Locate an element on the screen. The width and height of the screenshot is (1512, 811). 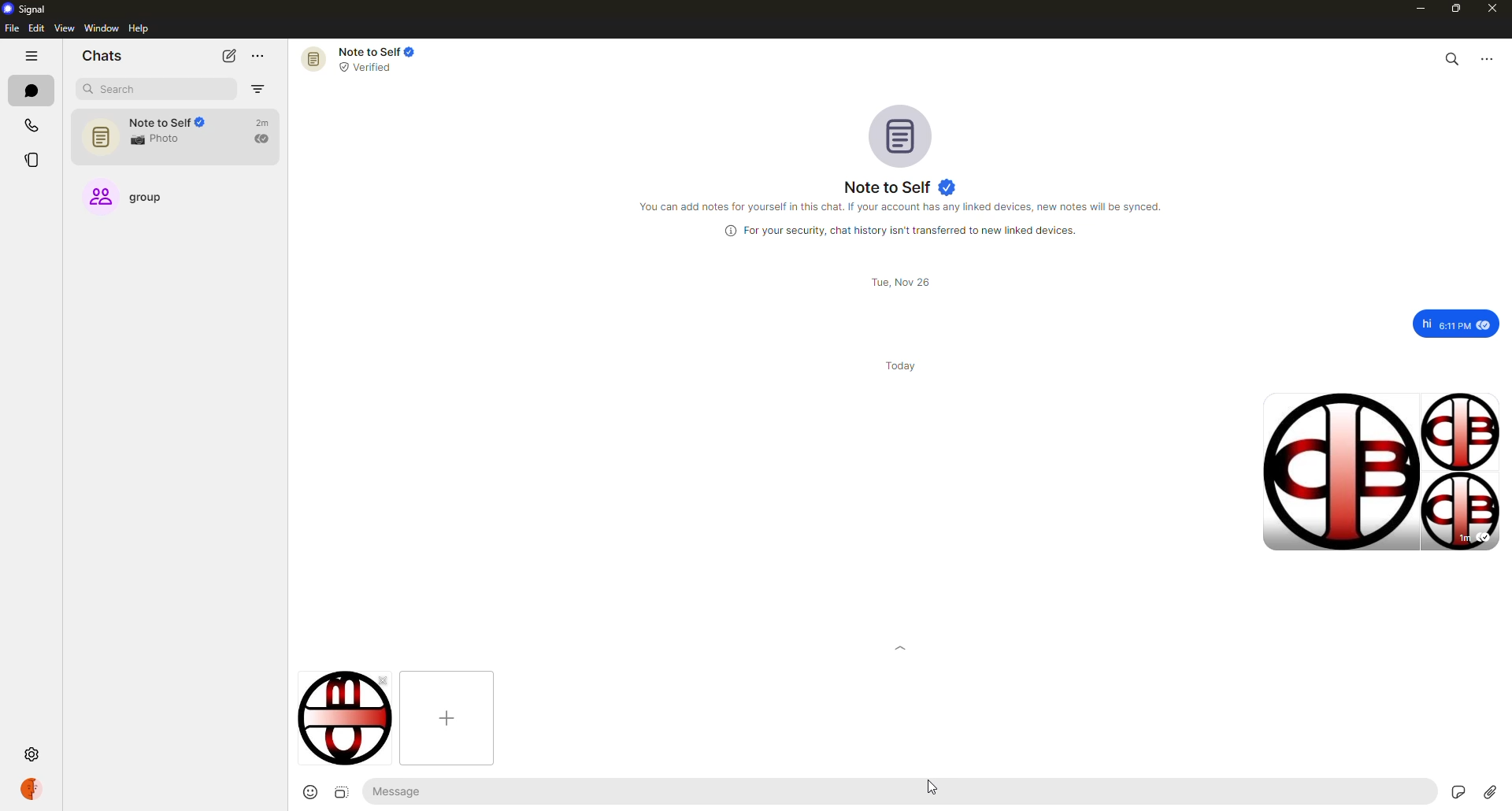
view is located at coordinates (65, 29).